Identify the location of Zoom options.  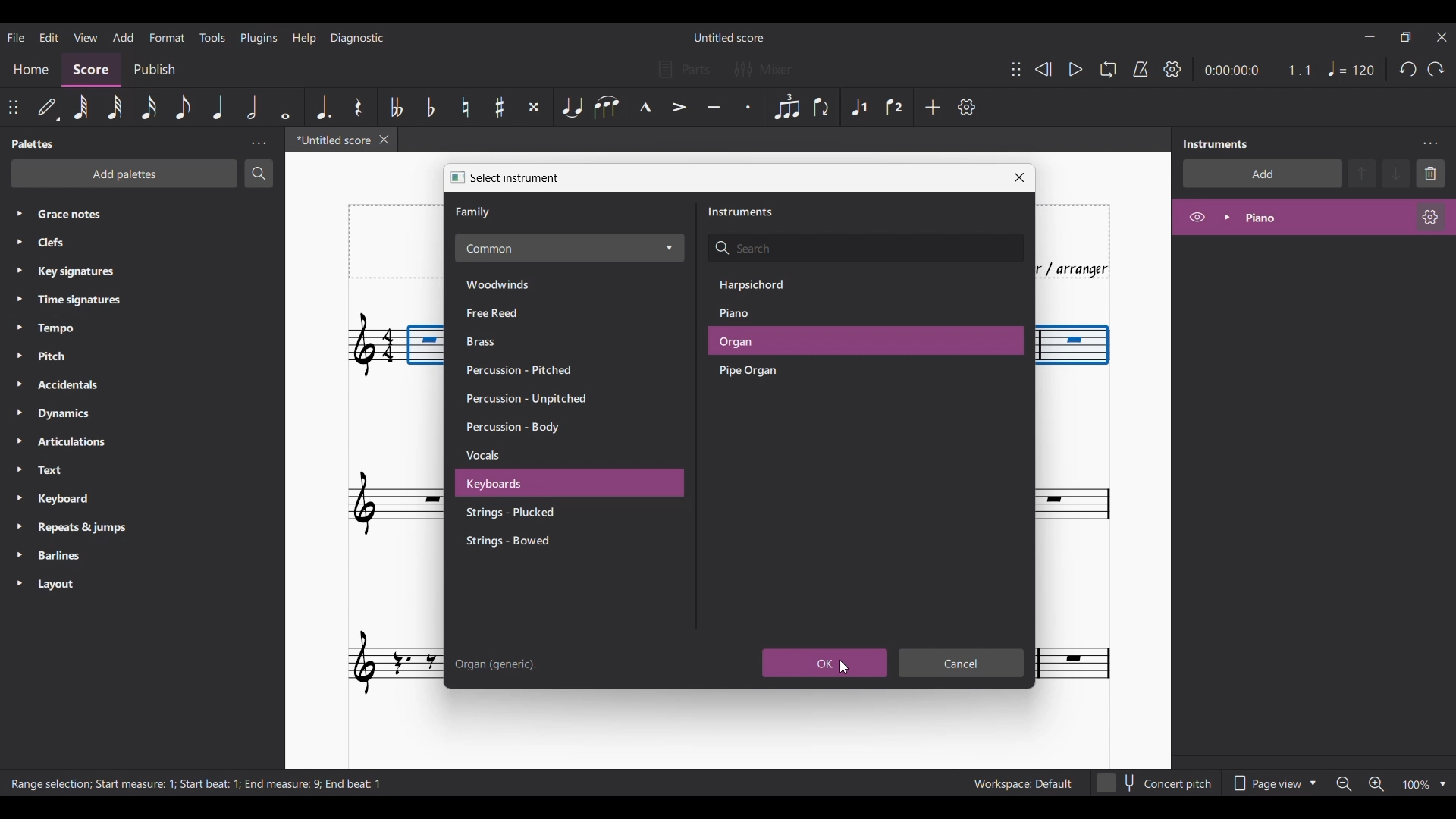
(1442, 784).